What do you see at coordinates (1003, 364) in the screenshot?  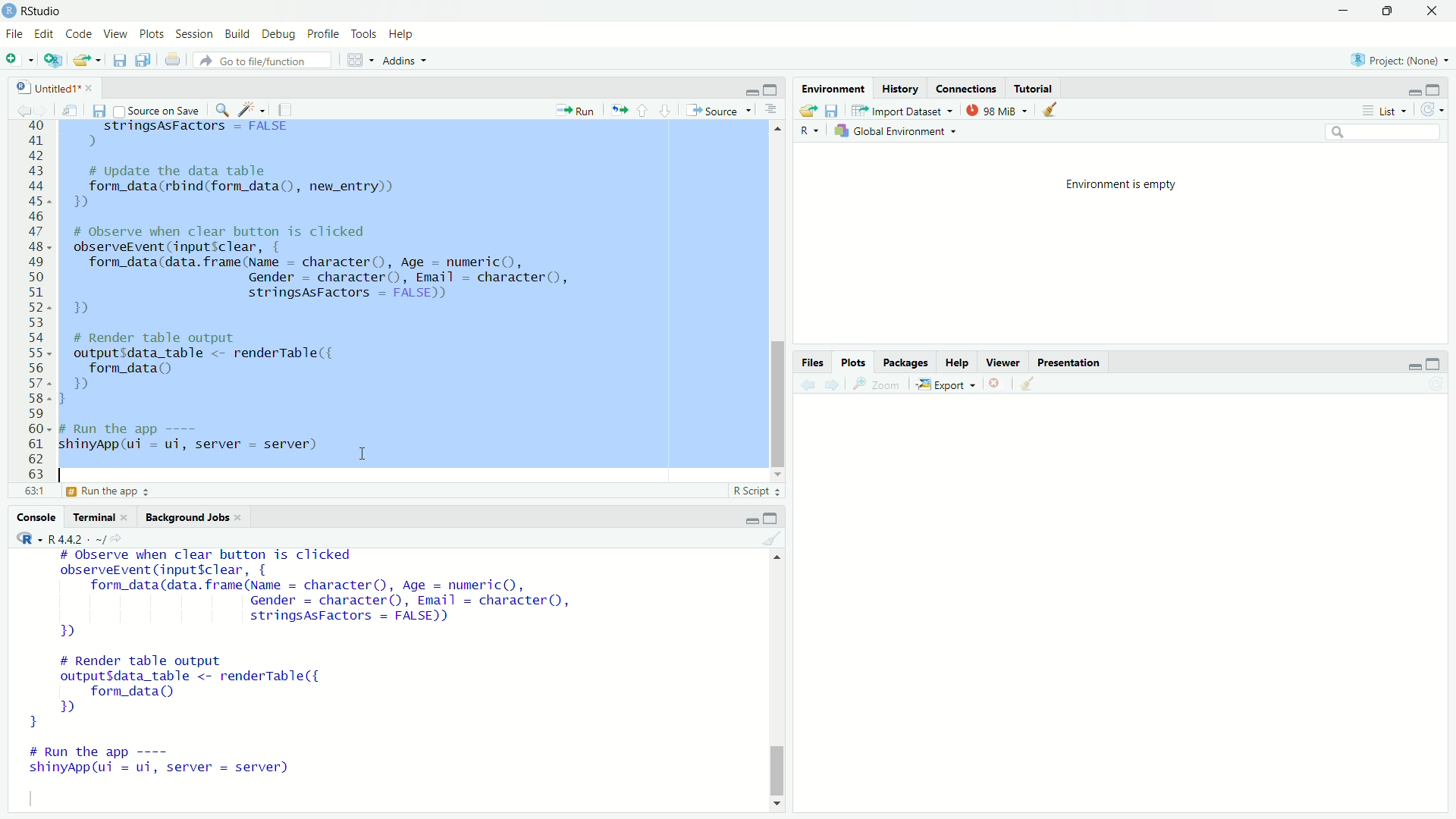 I see `viewer` at bounding box center [1003, 364].